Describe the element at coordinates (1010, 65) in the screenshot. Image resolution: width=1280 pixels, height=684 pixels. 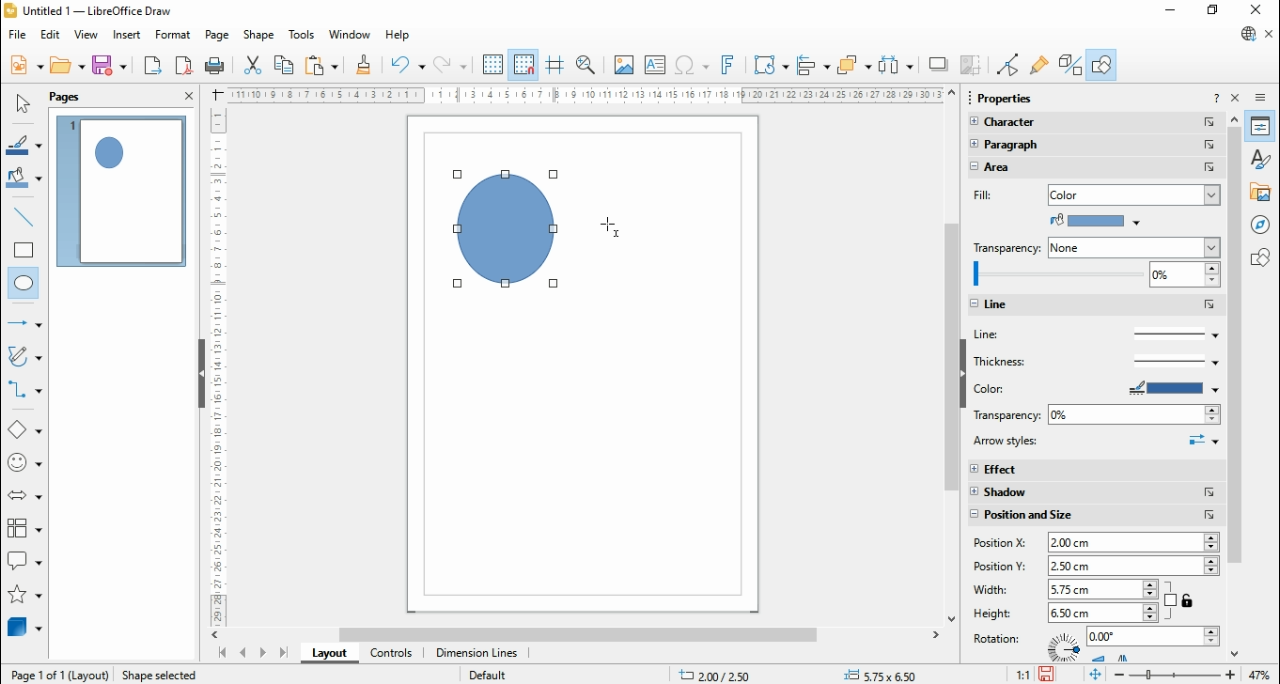
I see `toggle point edit mode` at that location.